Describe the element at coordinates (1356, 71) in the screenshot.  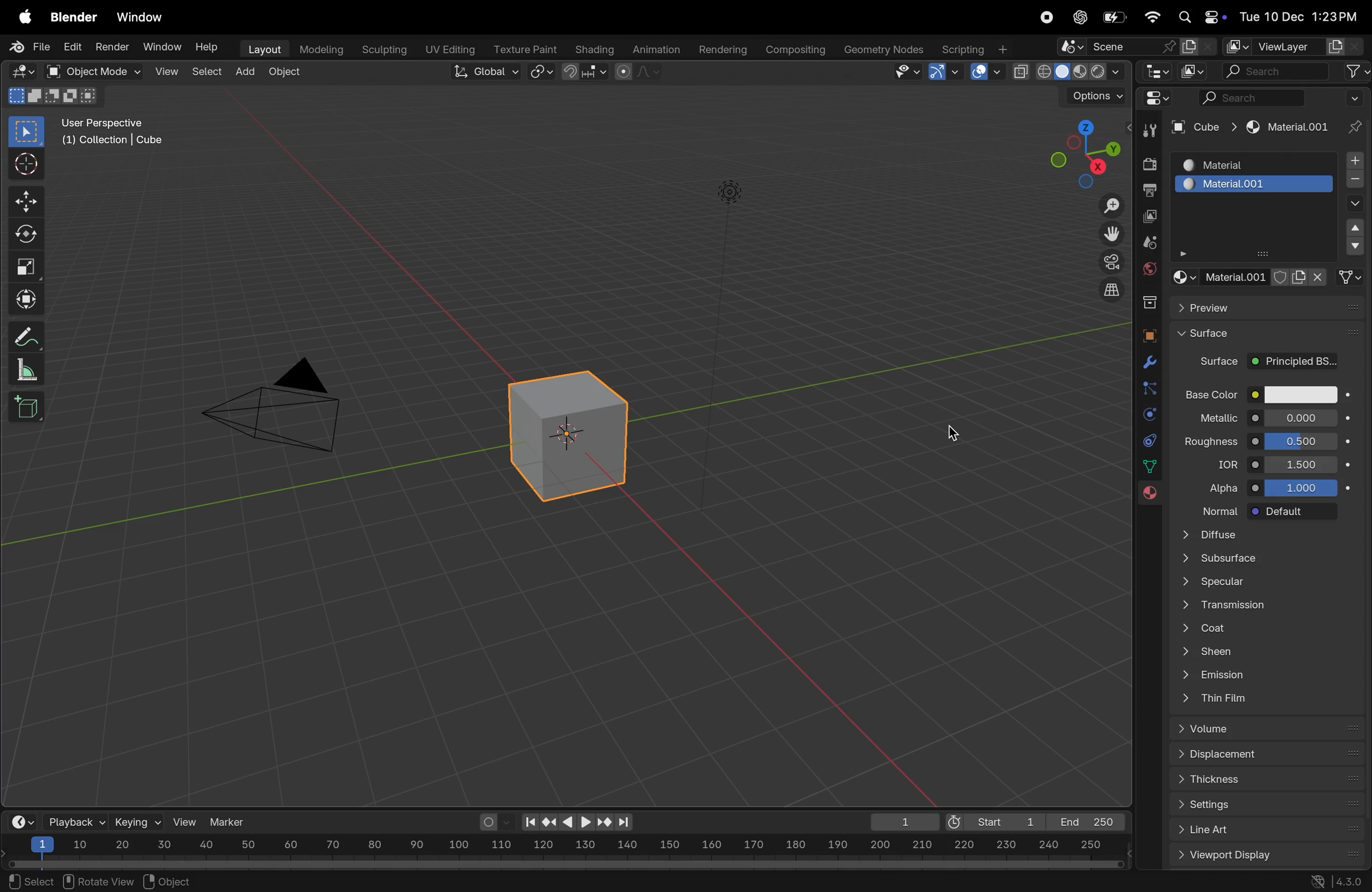
I see `filter` at that location.